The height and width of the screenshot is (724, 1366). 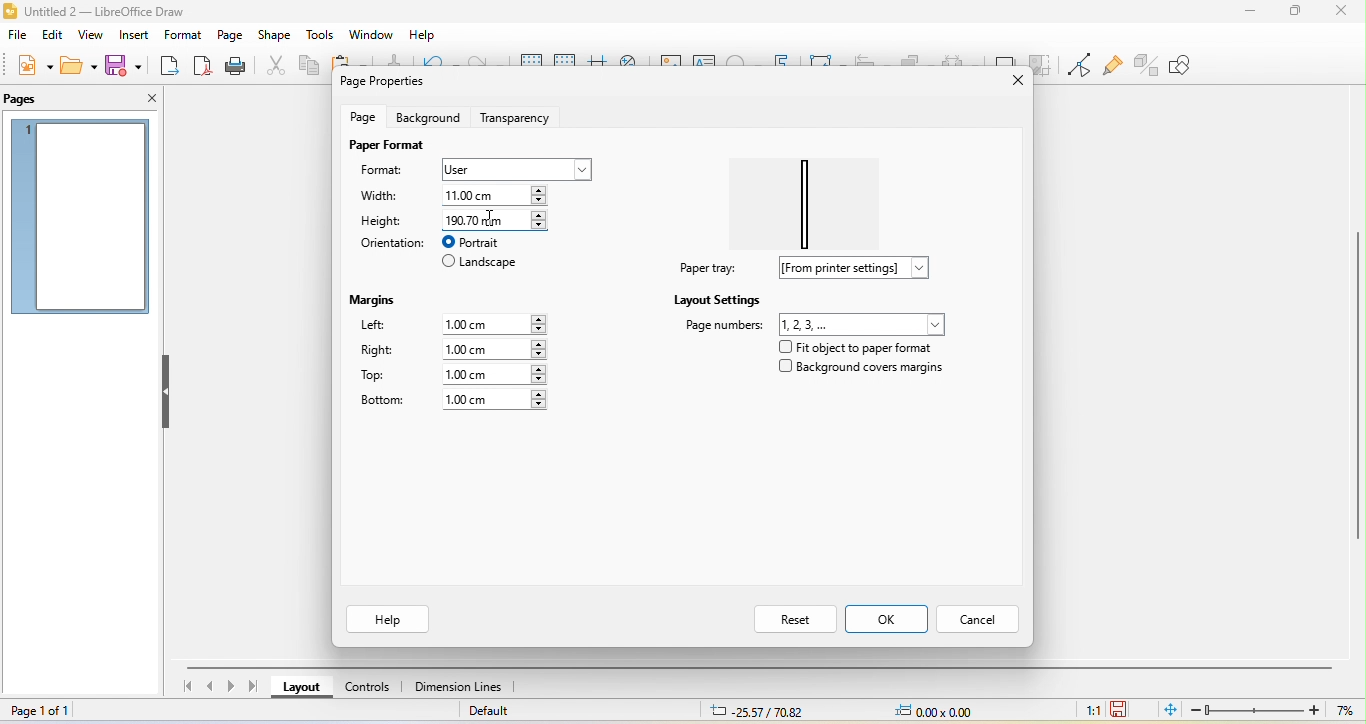 I want to click on 1.00 cm, so click(x=493, y=349).